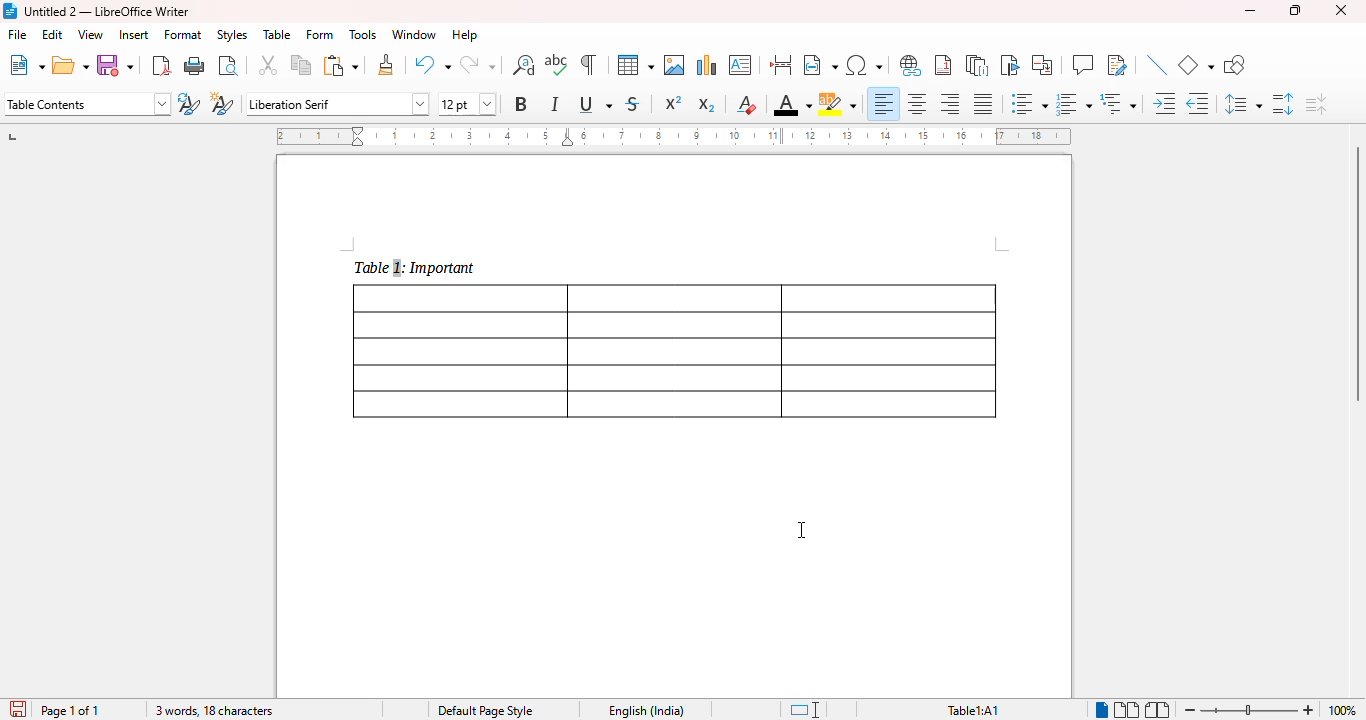 The height and width of the screenshot is (720, 1366). I want to click on zoom factor, so click(1342, 710).